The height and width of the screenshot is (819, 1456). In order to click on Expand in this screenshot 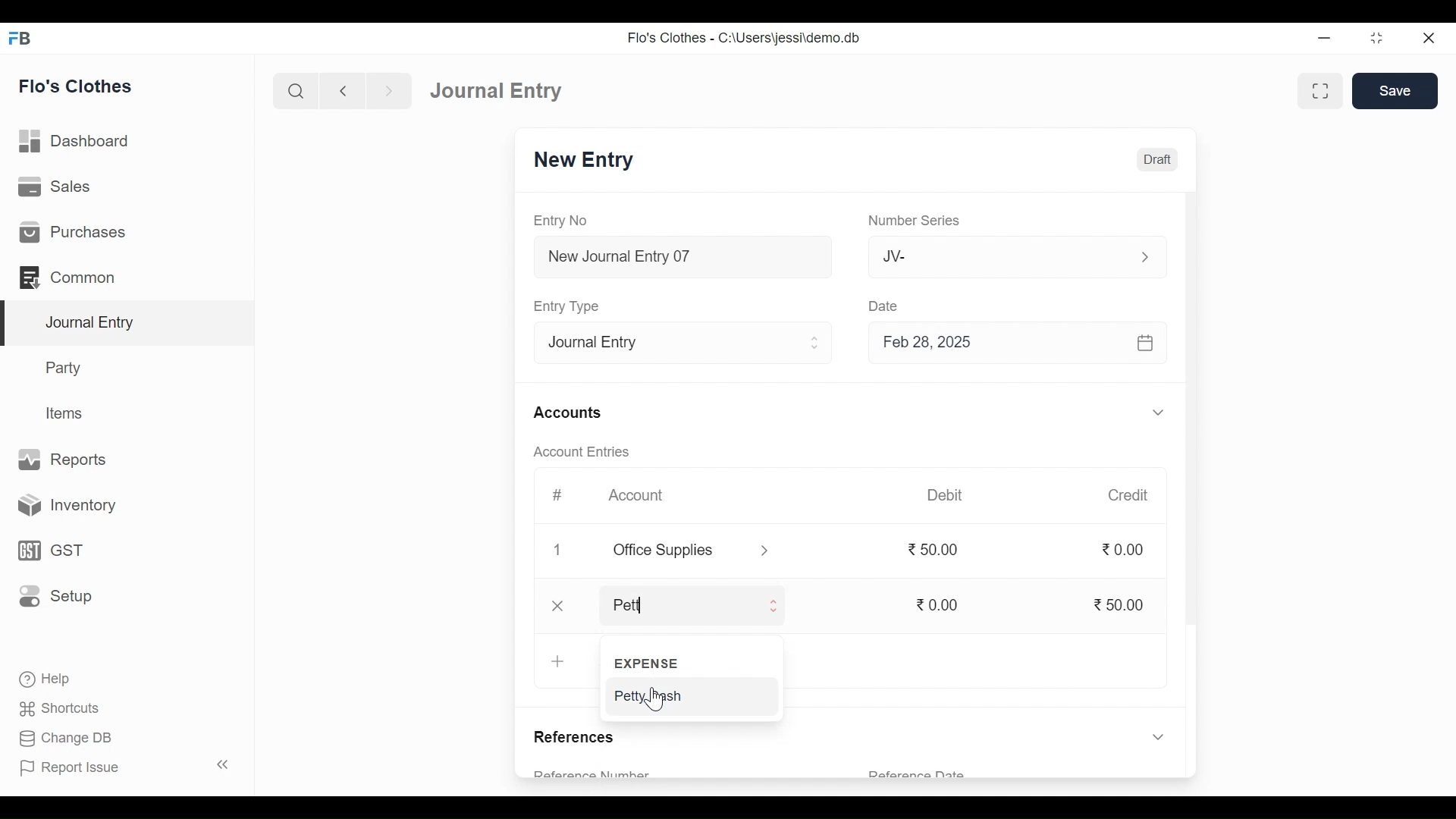, I will do `click(1158, 739)`.